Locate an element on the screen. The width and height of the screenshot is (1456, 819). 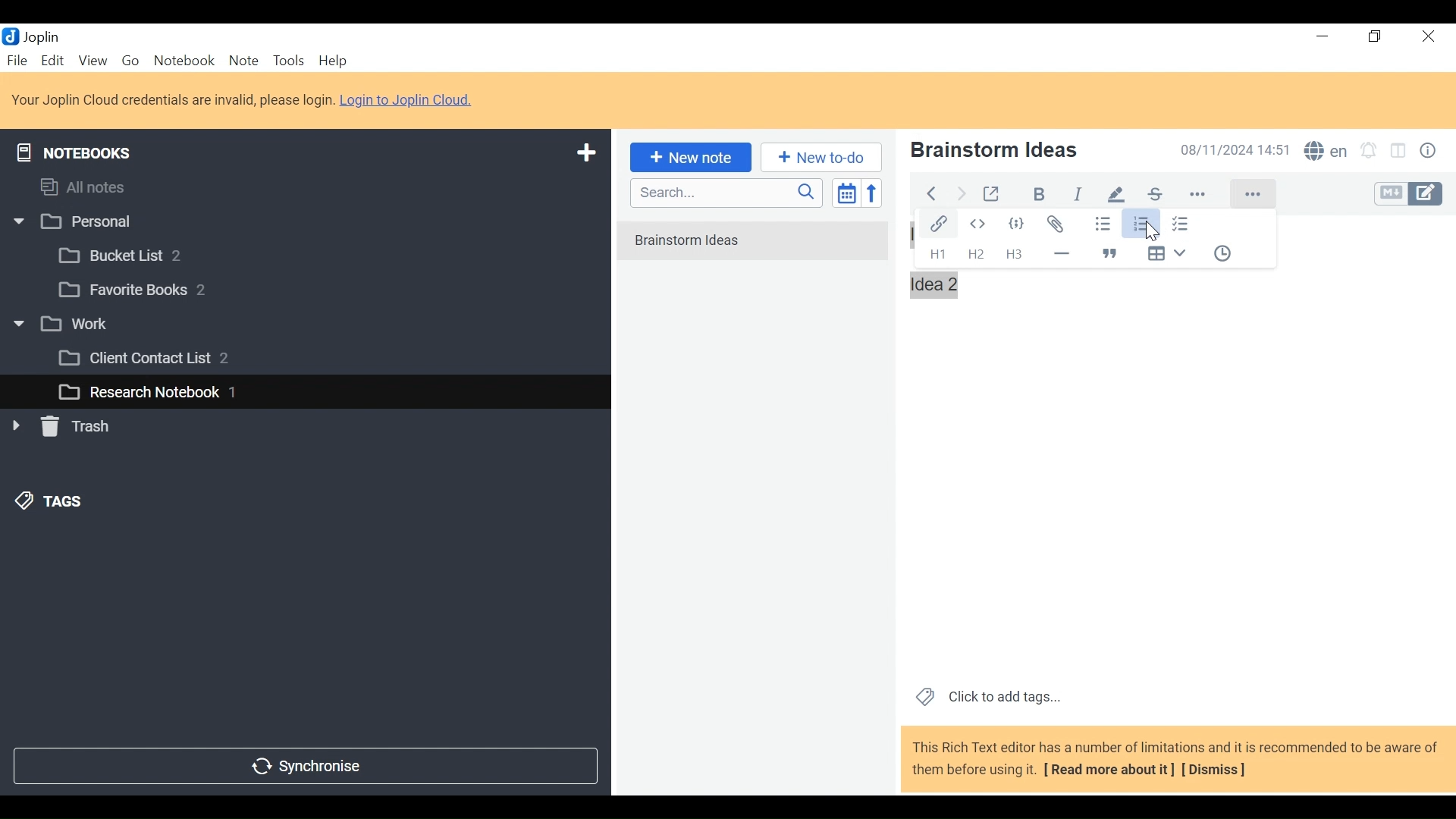
Set alarm is located at coordinates (1369, 152).